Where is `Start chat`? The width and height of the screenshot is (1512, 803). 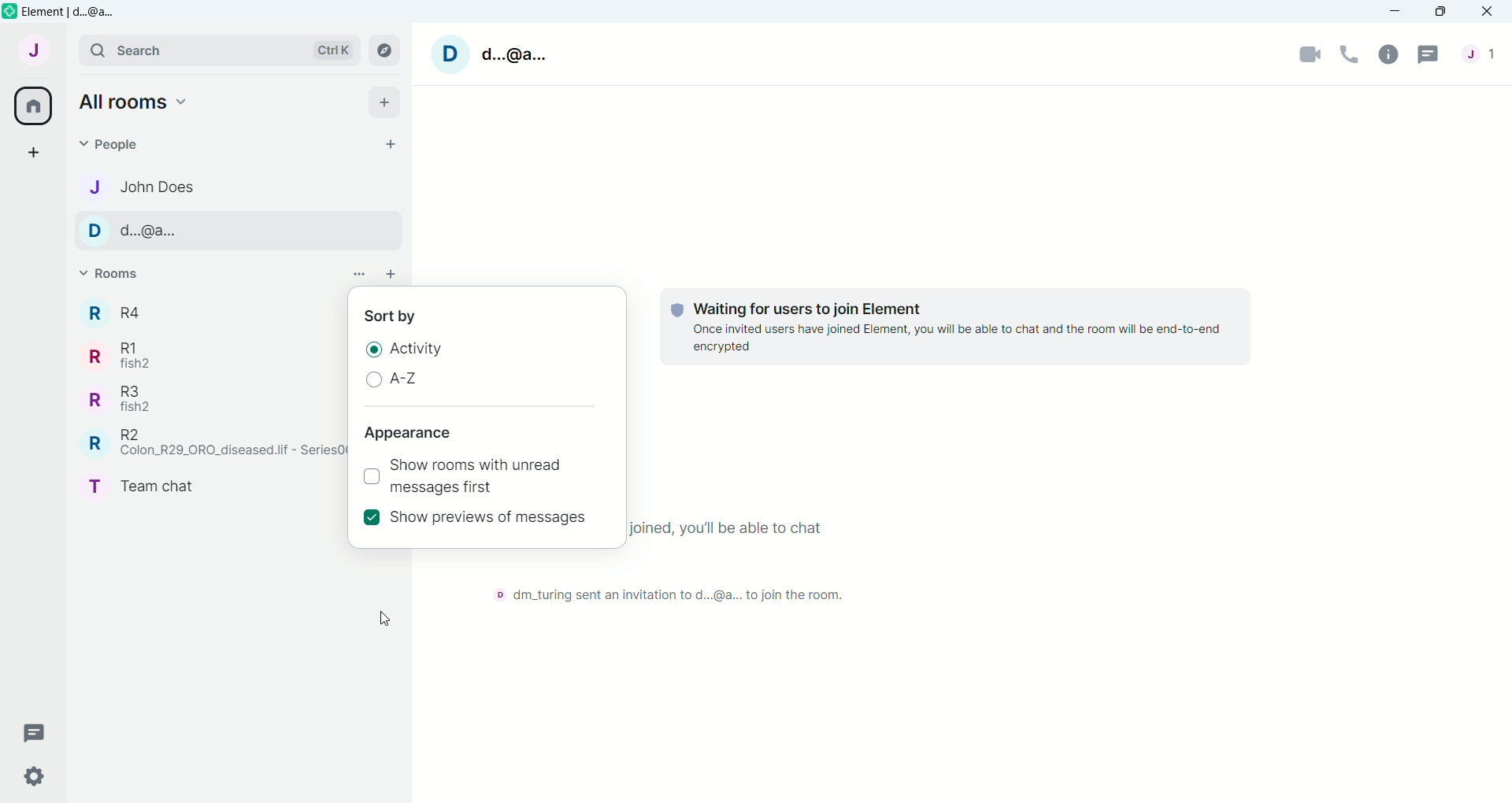 Start chat is located at coordinates (391, 143).